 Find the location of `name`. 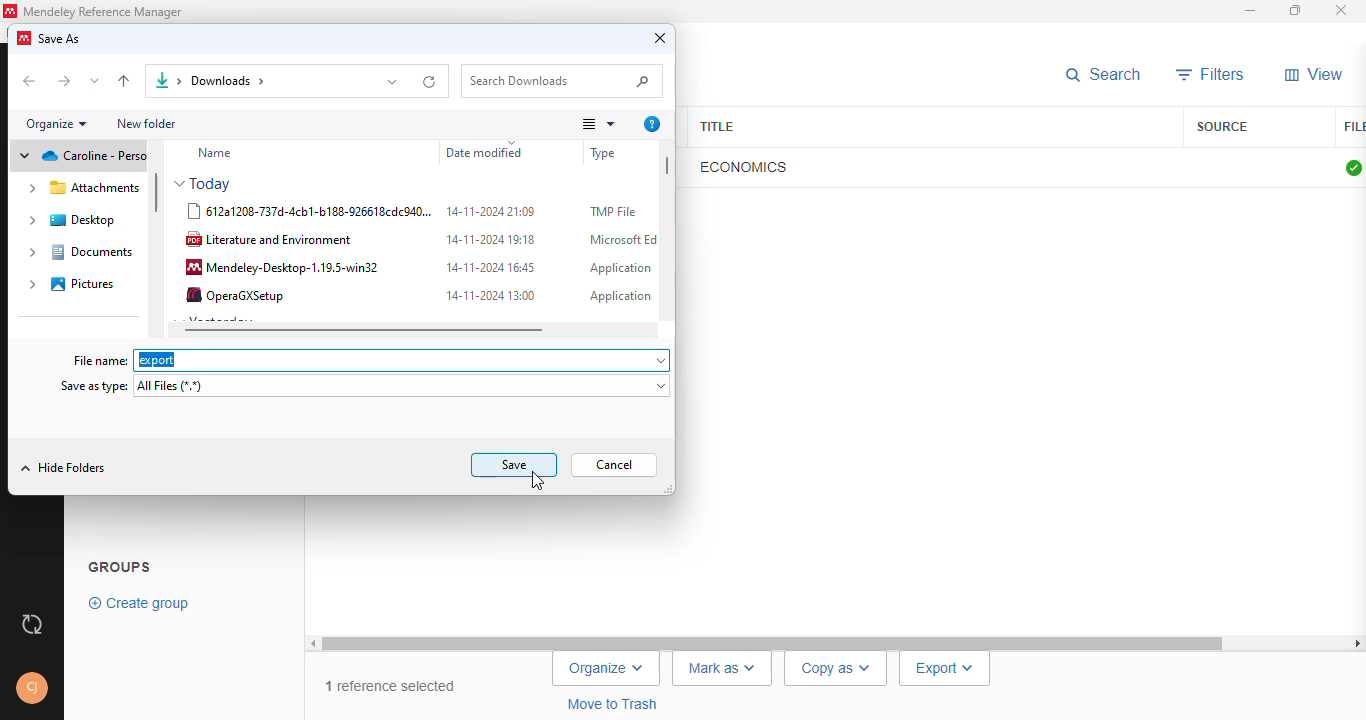

name is located at coordinates (215, 153).